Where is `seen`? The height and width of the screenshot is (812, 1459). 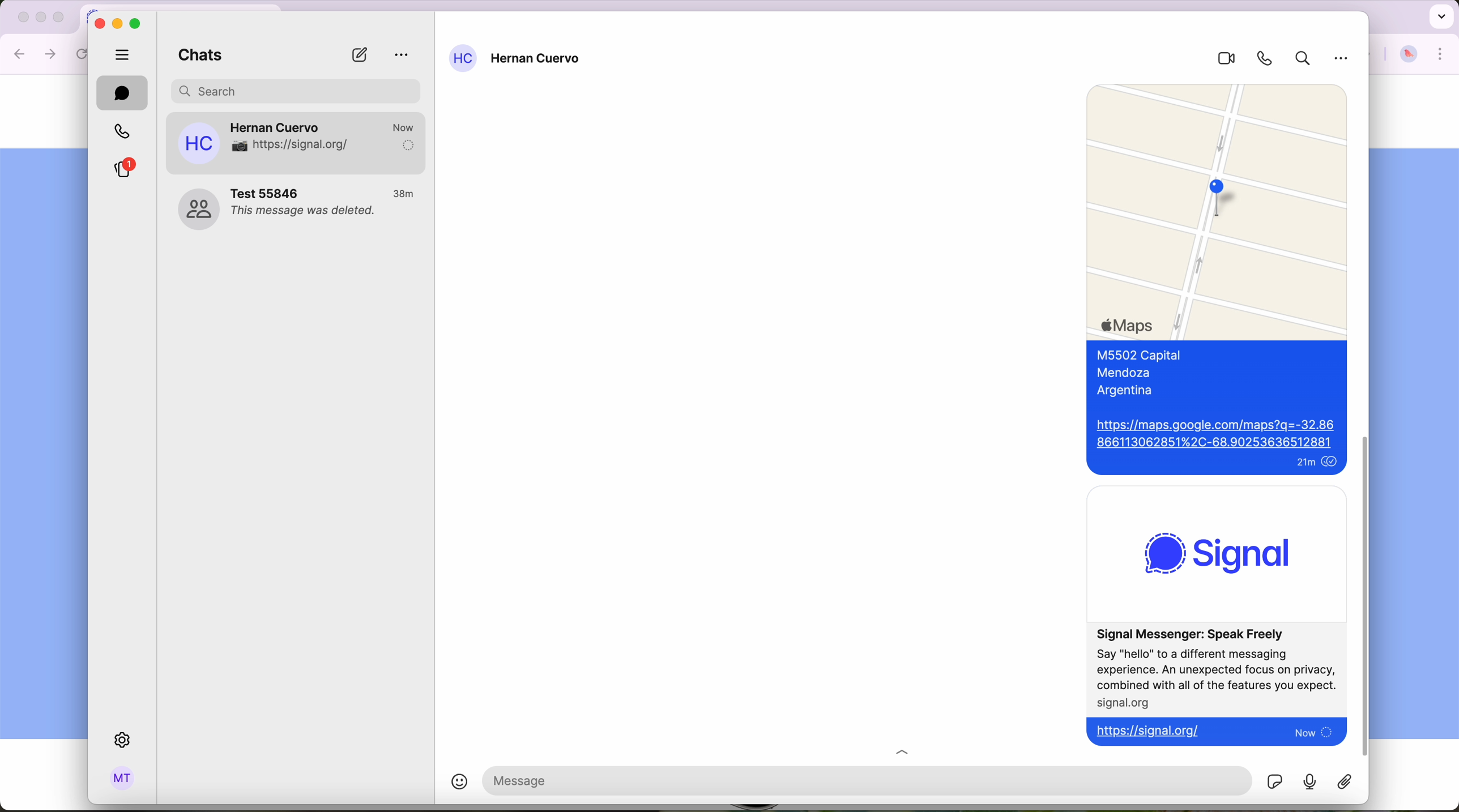 seen is located at coordinates (1331, 463).